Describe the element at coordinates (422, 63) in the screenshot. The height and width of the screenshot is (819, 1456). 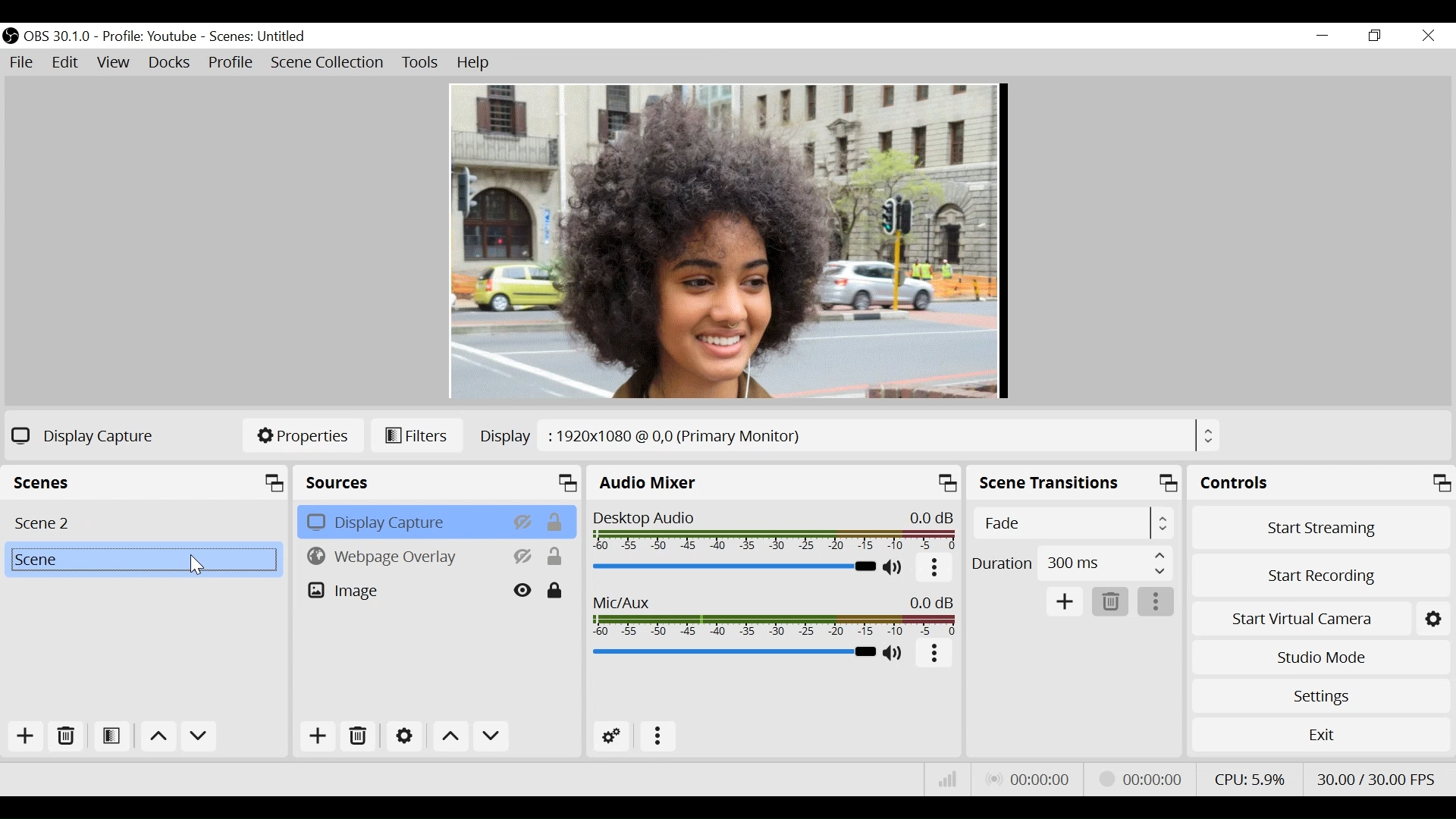
I see `Tools` at that location.